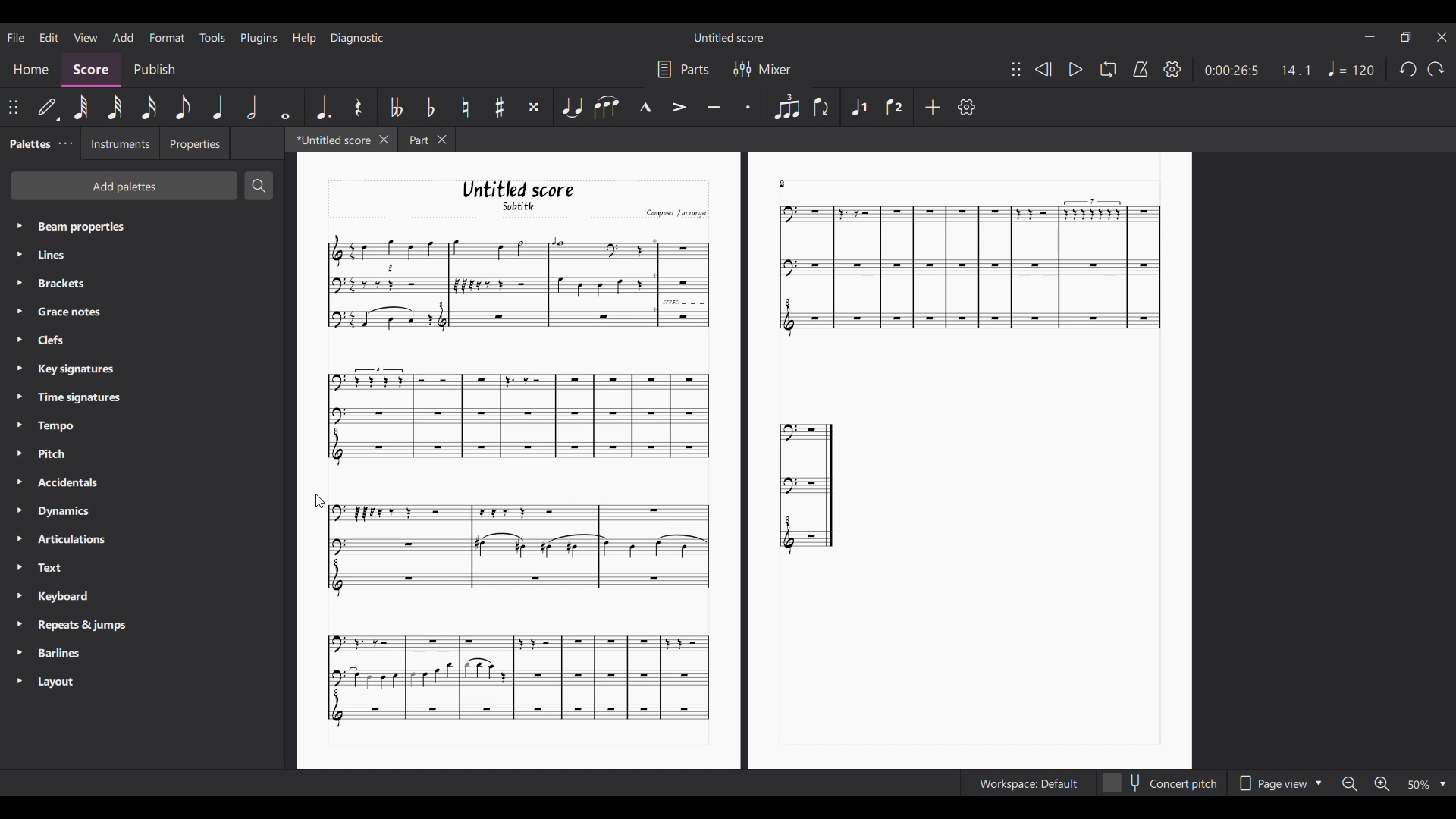  I want to click on Accent, so click(679, 107).